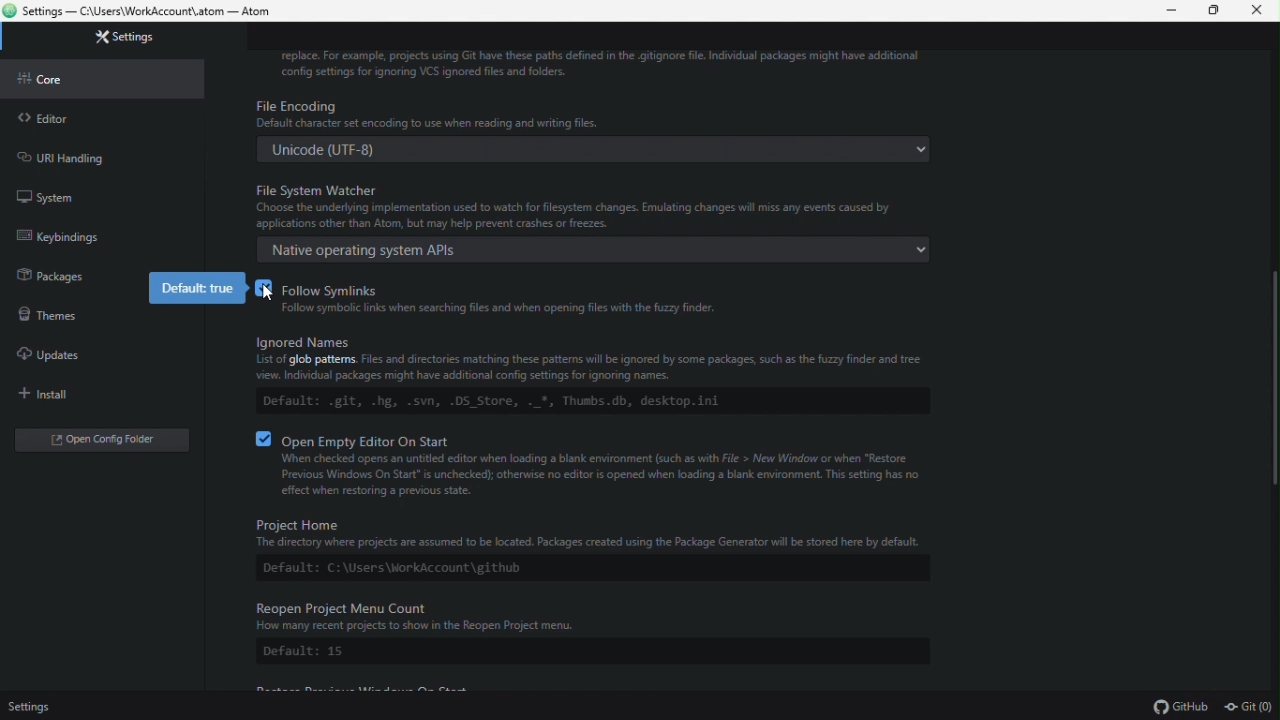 This screenshot has width=1280, height=720. I want to click on Native operating system APIs v, so click(597, 249).